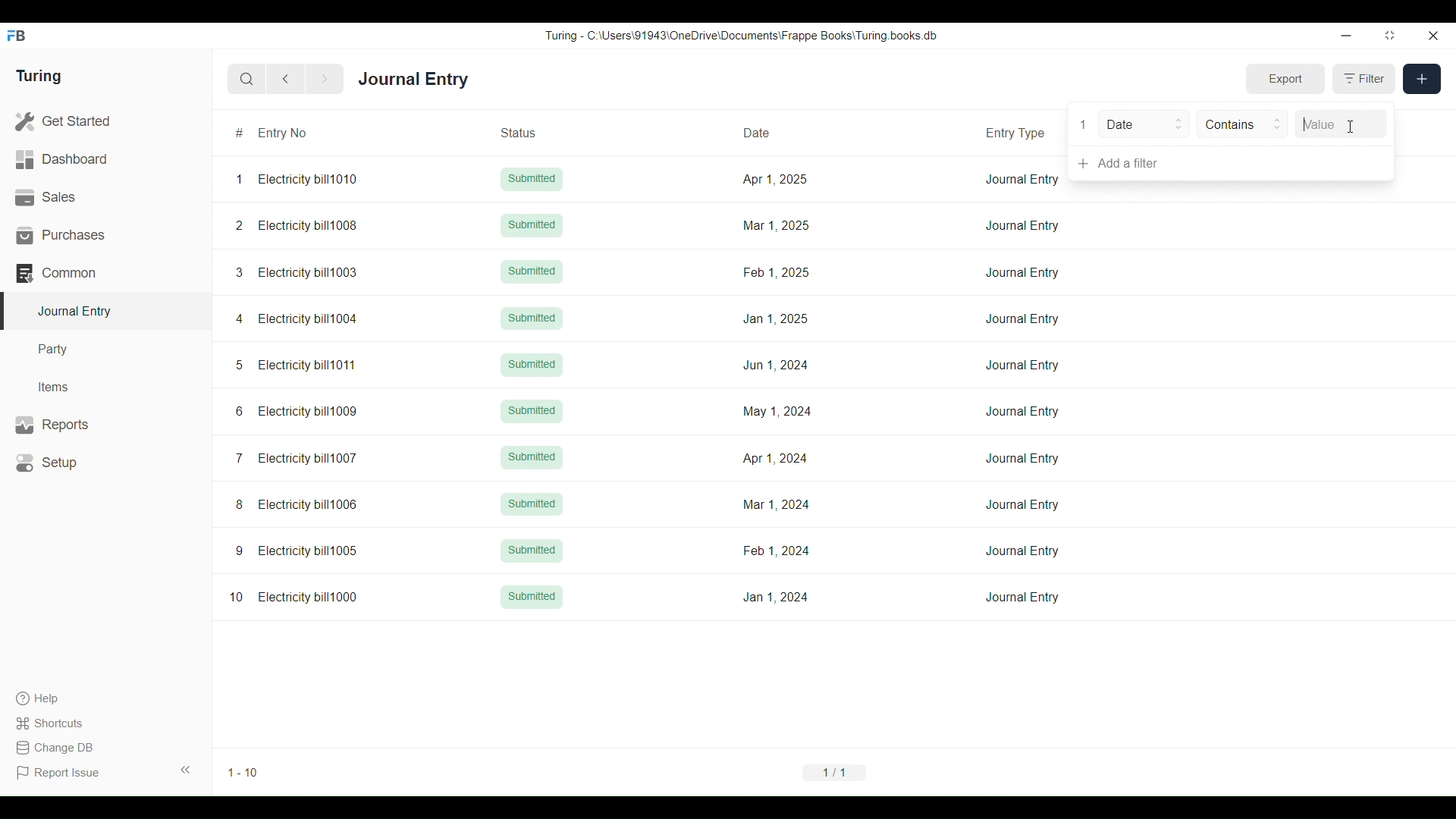  Describe the element at coordinates (531, 318) in the screenshot. I see `Submitted` at that location.